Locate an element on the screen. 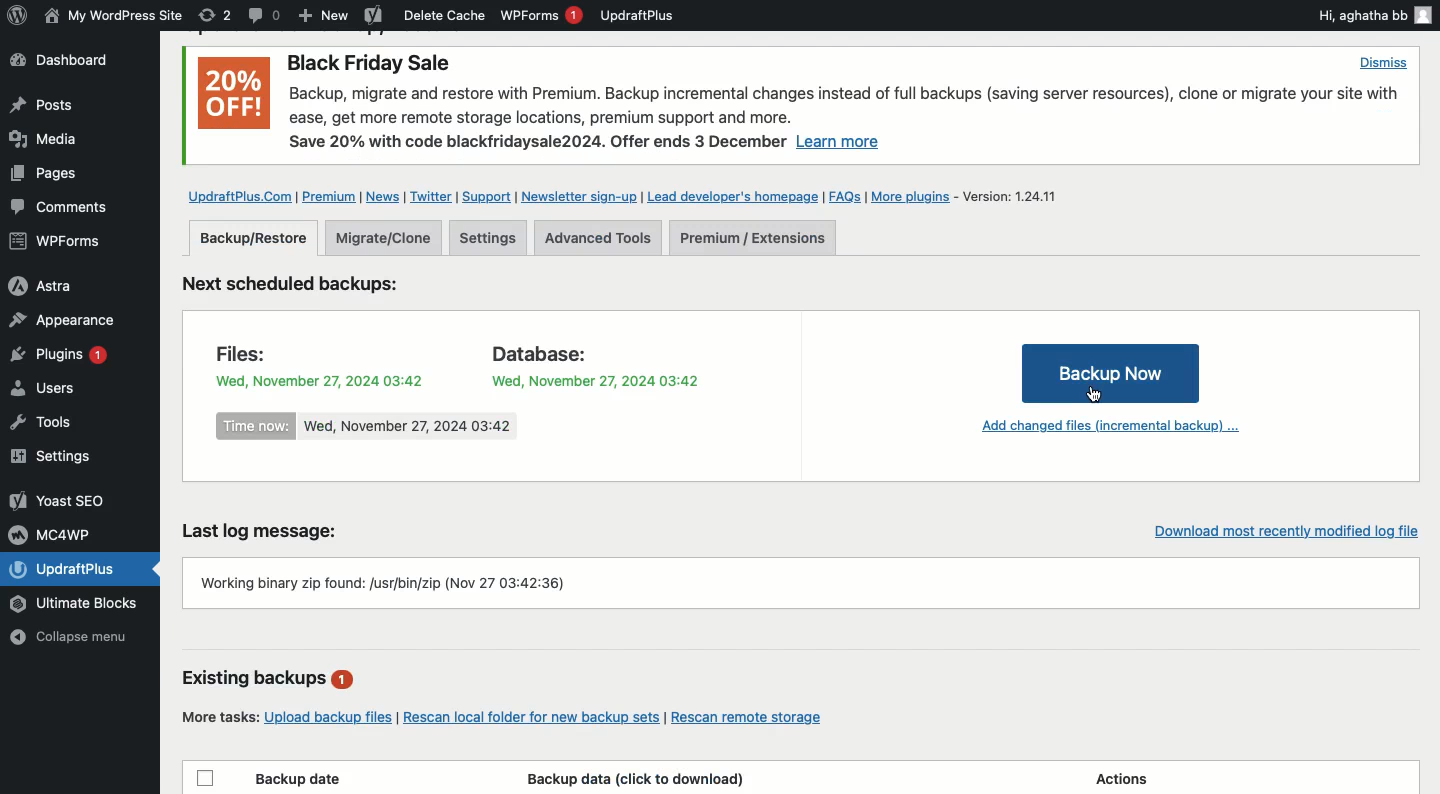 This screenshot has width=1440, height=794. Settings is located at coordinates (490, 237).